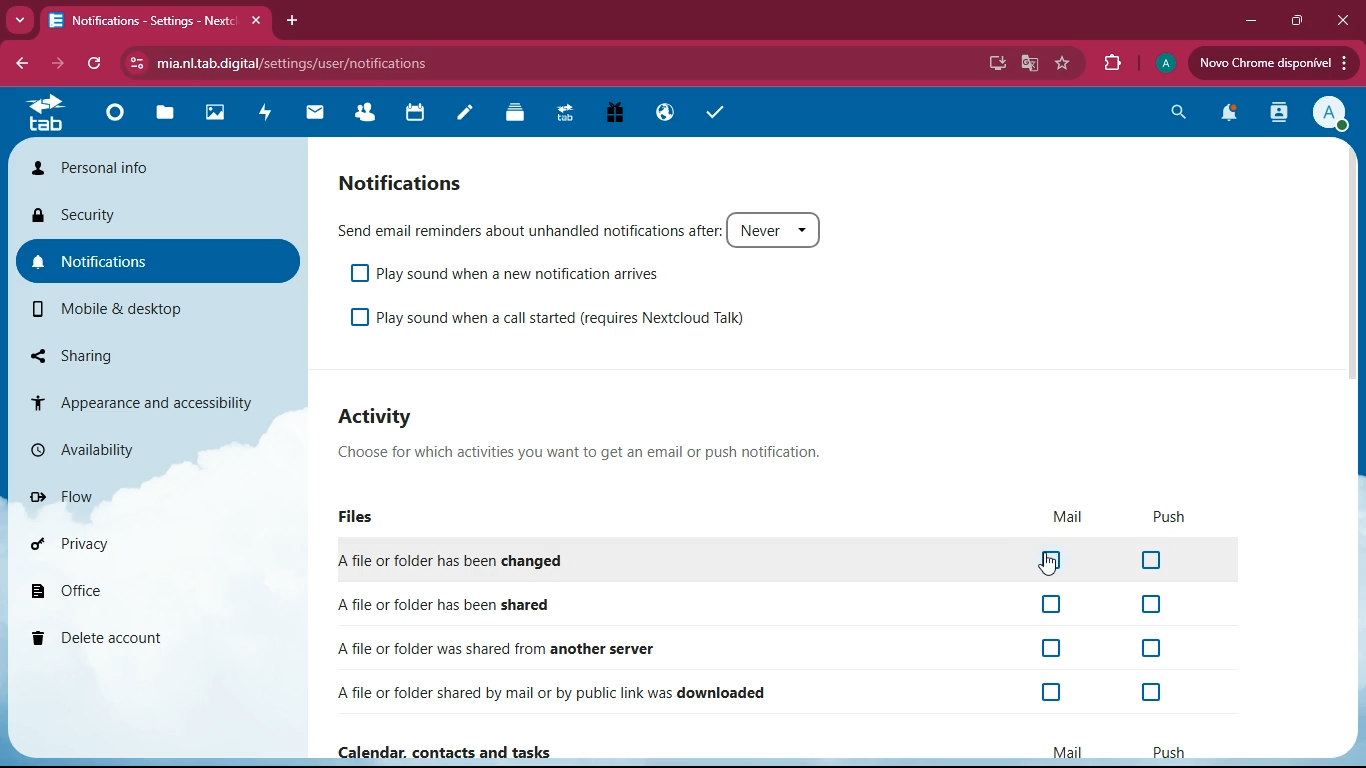 This screenshot has height=768, width=1366. Describe the element at coordinates (498, 560) in the screenshot. I see `changed` at that location.